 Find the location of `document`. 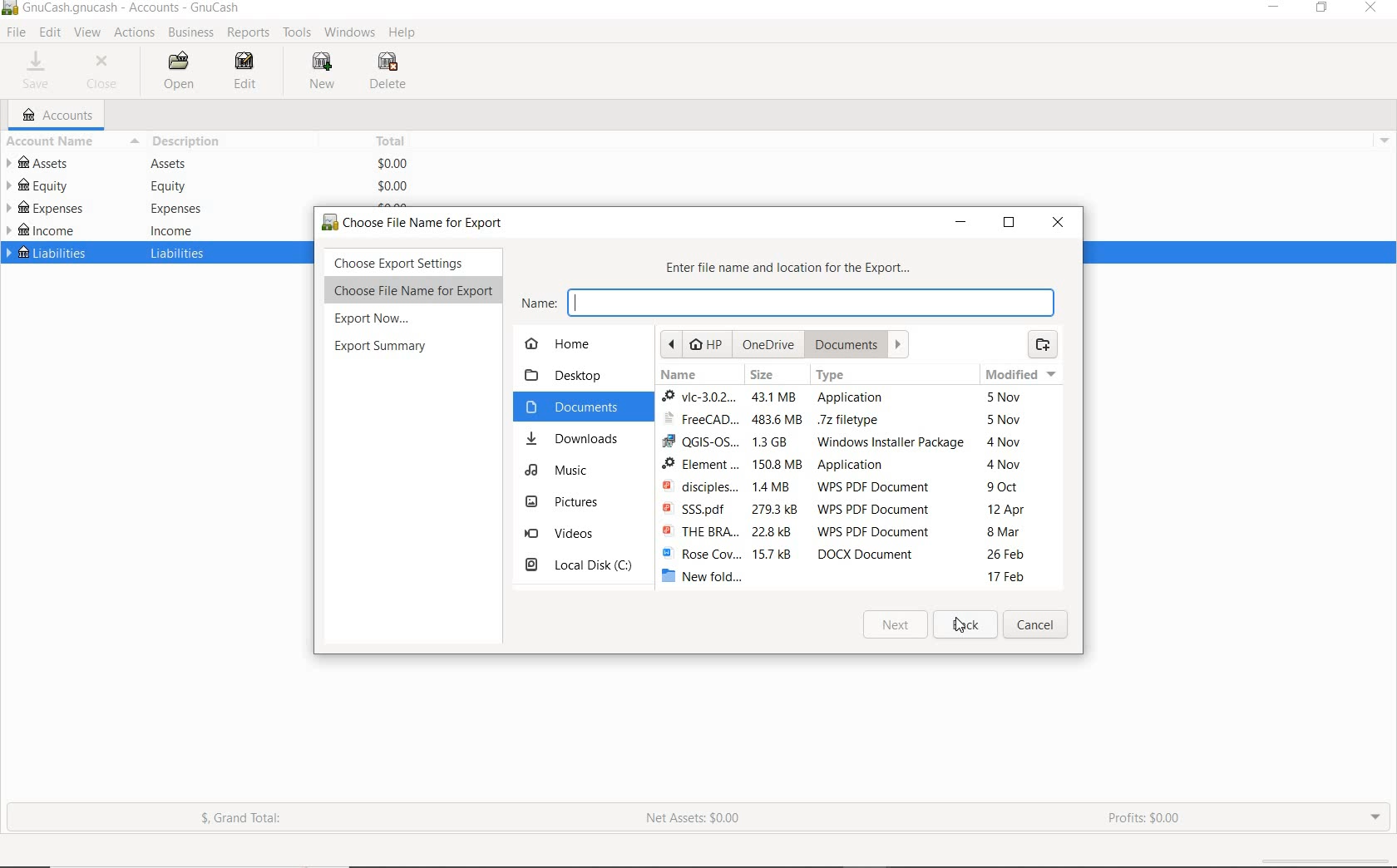

document is located at coordinates (852, 346).